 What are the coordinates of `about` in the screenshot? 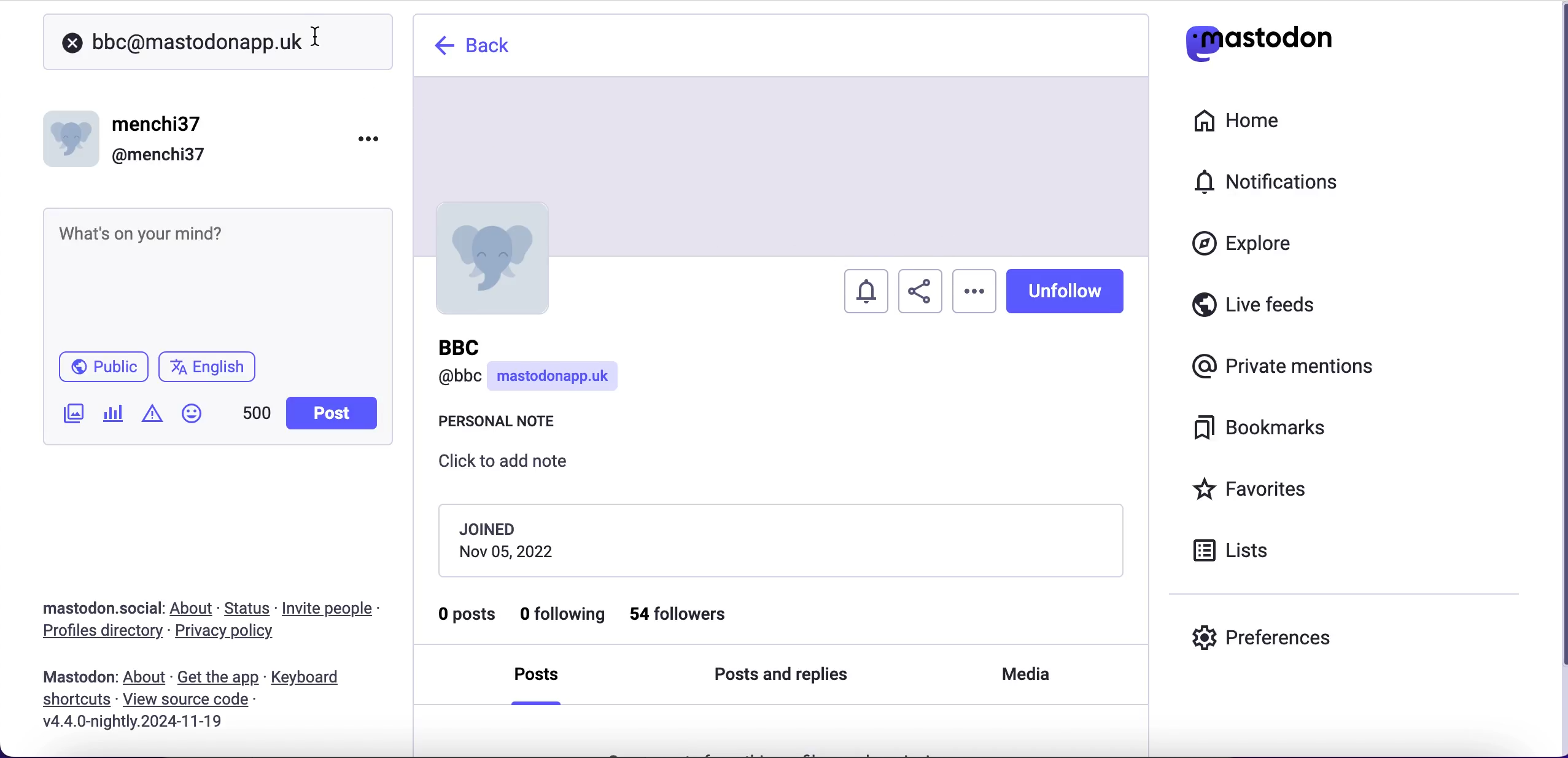 It's located at (147, 678).